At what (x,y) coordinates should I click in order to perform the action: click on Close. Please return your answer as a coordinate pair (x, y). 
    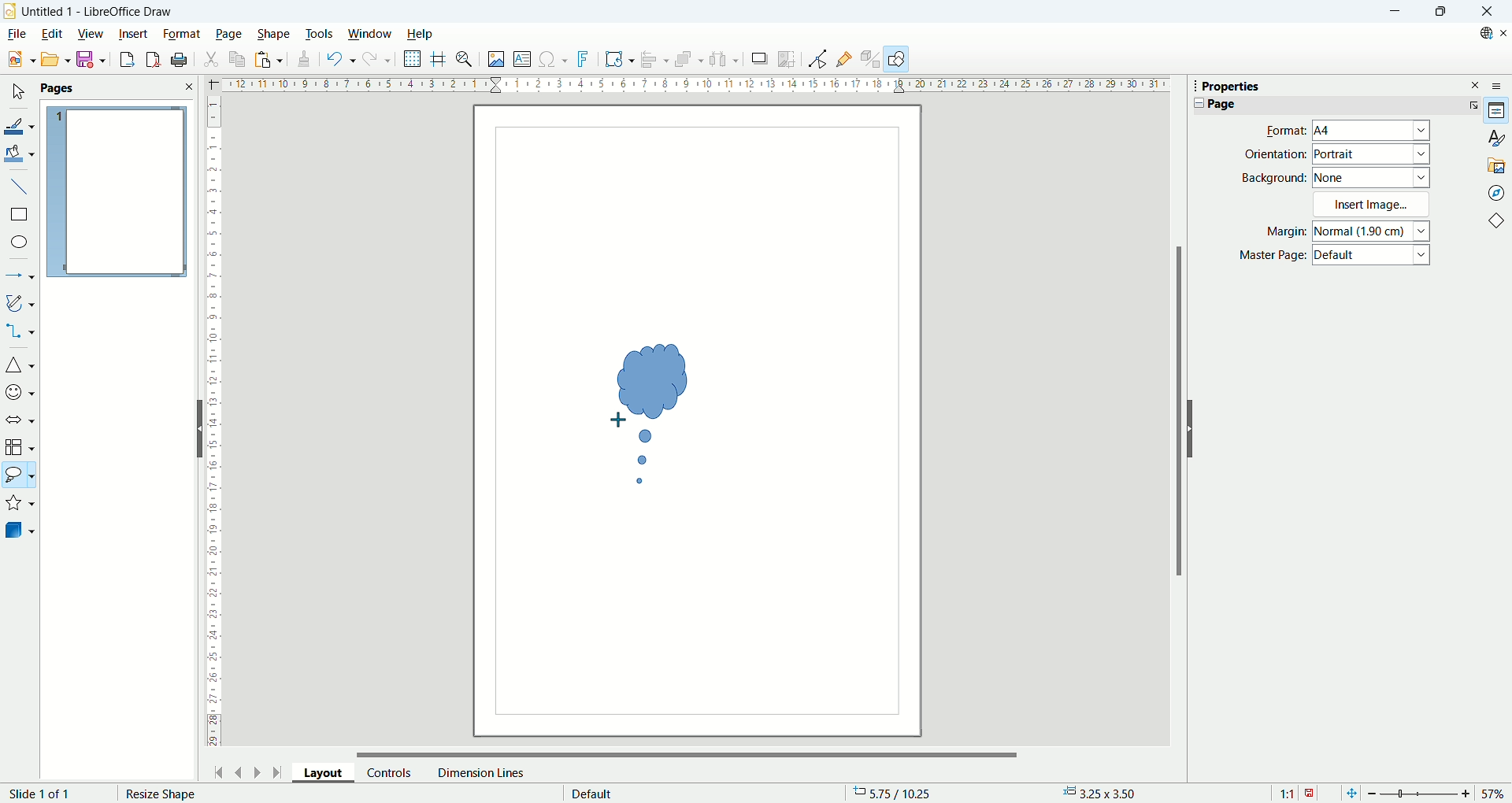
    Looking at the image, I should click on (1487, 12).